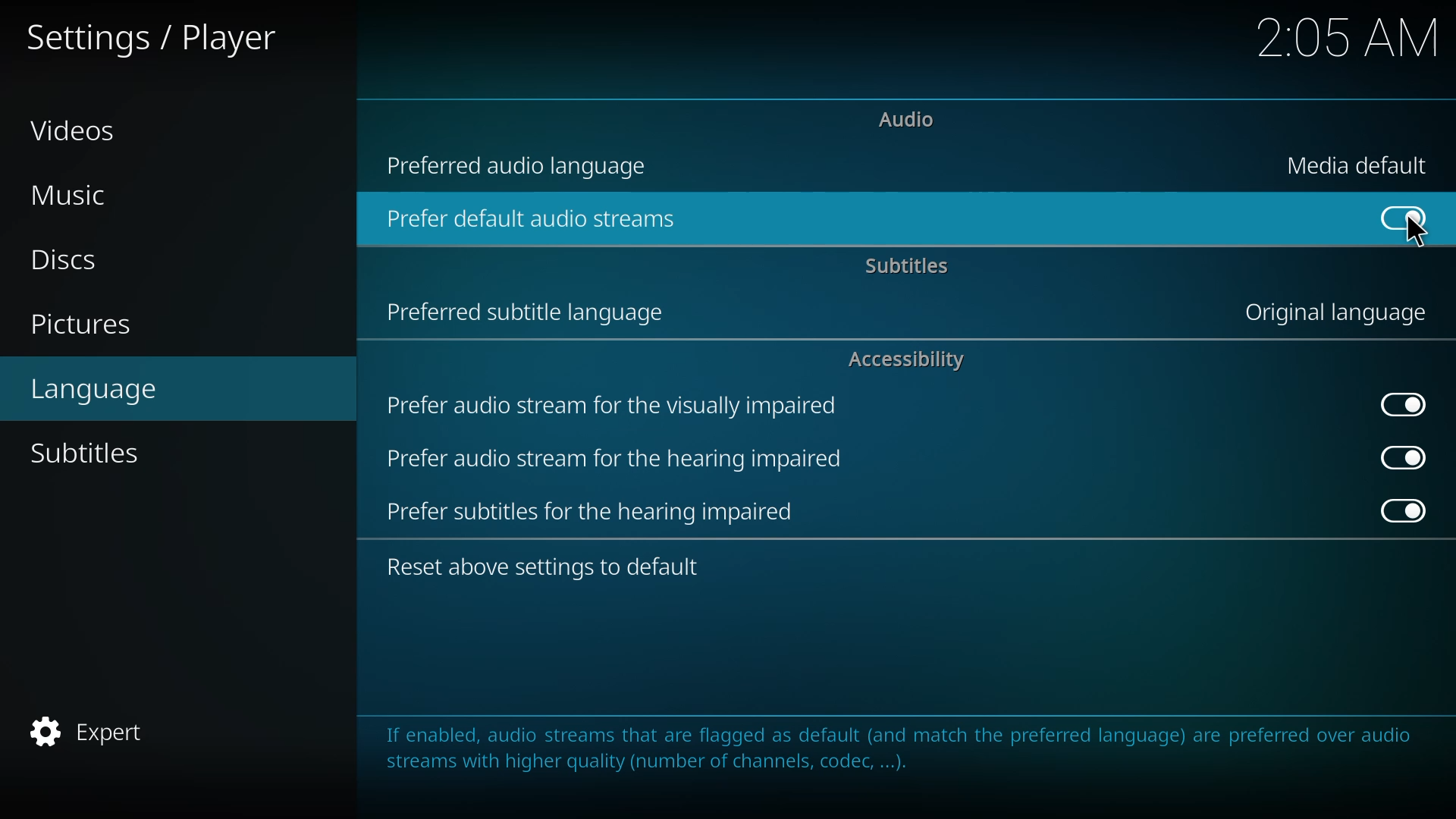 The height and width of the screenshot is (819, 1456). Describe the element at coordinates (528, 311) in the screenshot. I see `preferred subtitle language` at that location.